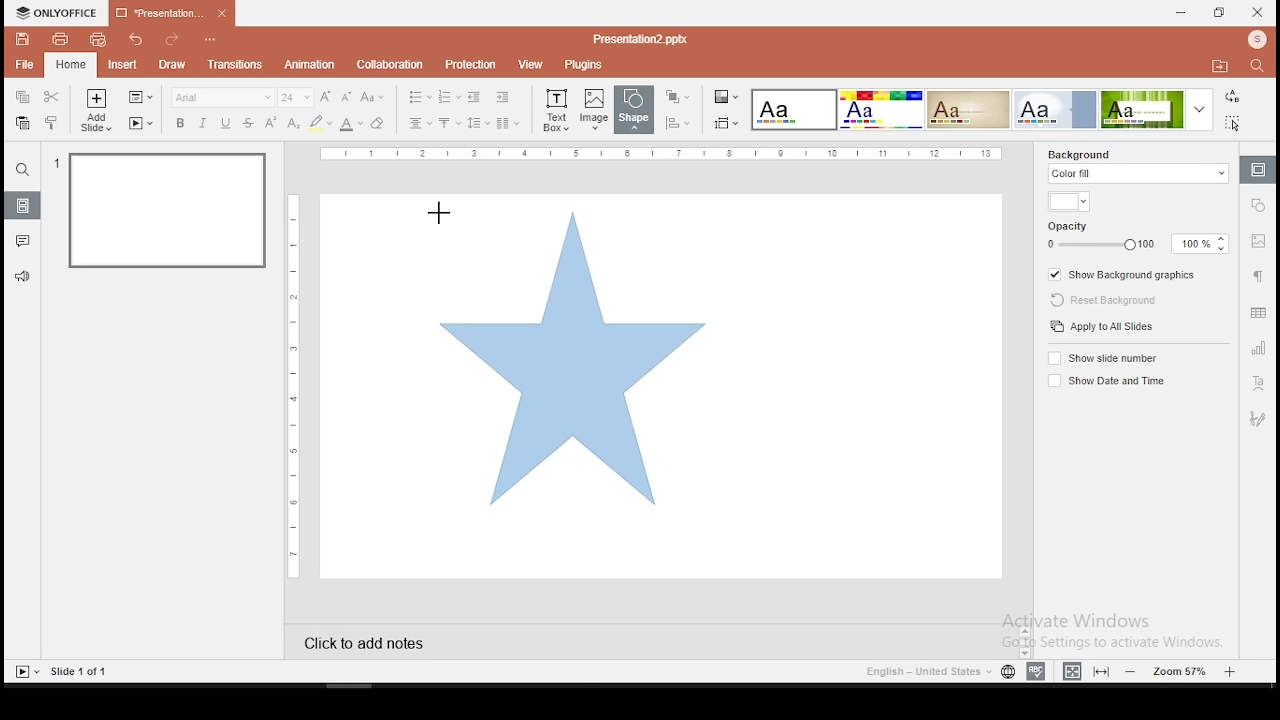  What do you see at coordinates (450, 96) in the screenshot?
I see `numbering` at bounding box center [450, 96].